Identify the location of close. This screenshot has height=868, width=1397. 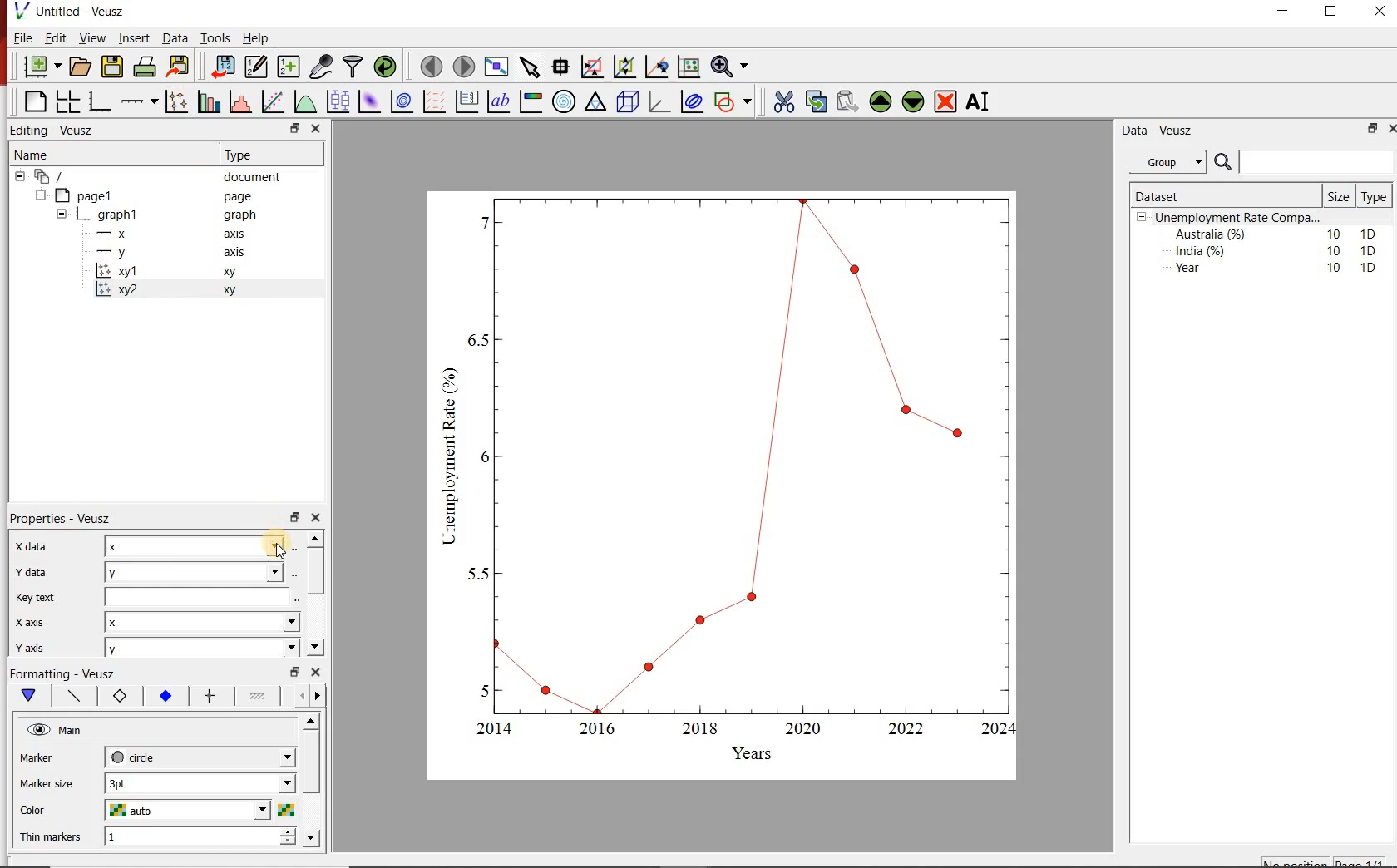
(317, 518).